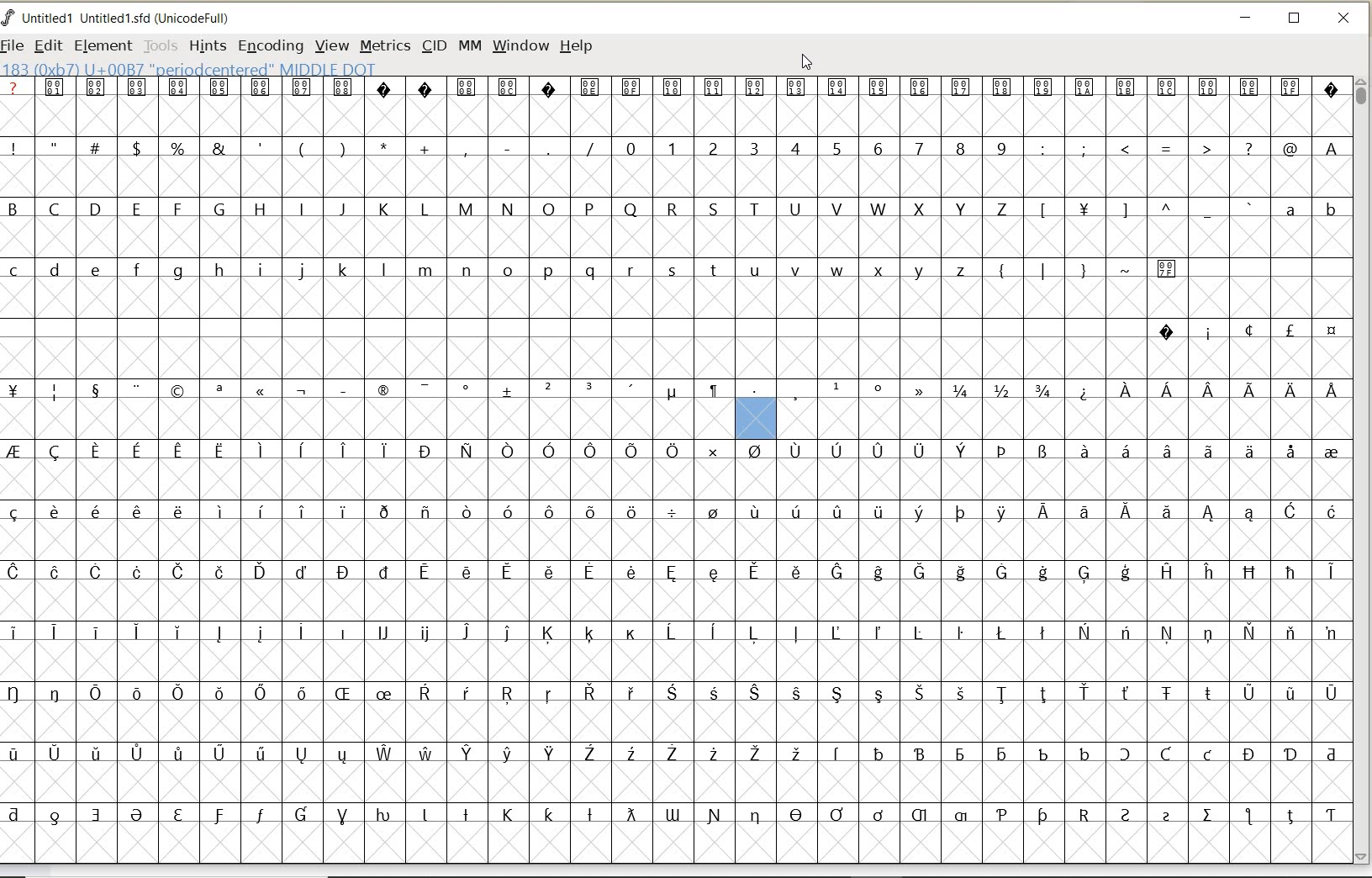 The height and width of the screenshot is (878, 1372). Describe the element at coordinates (300, 147) in the screenshot. I see `special characters` at that location.